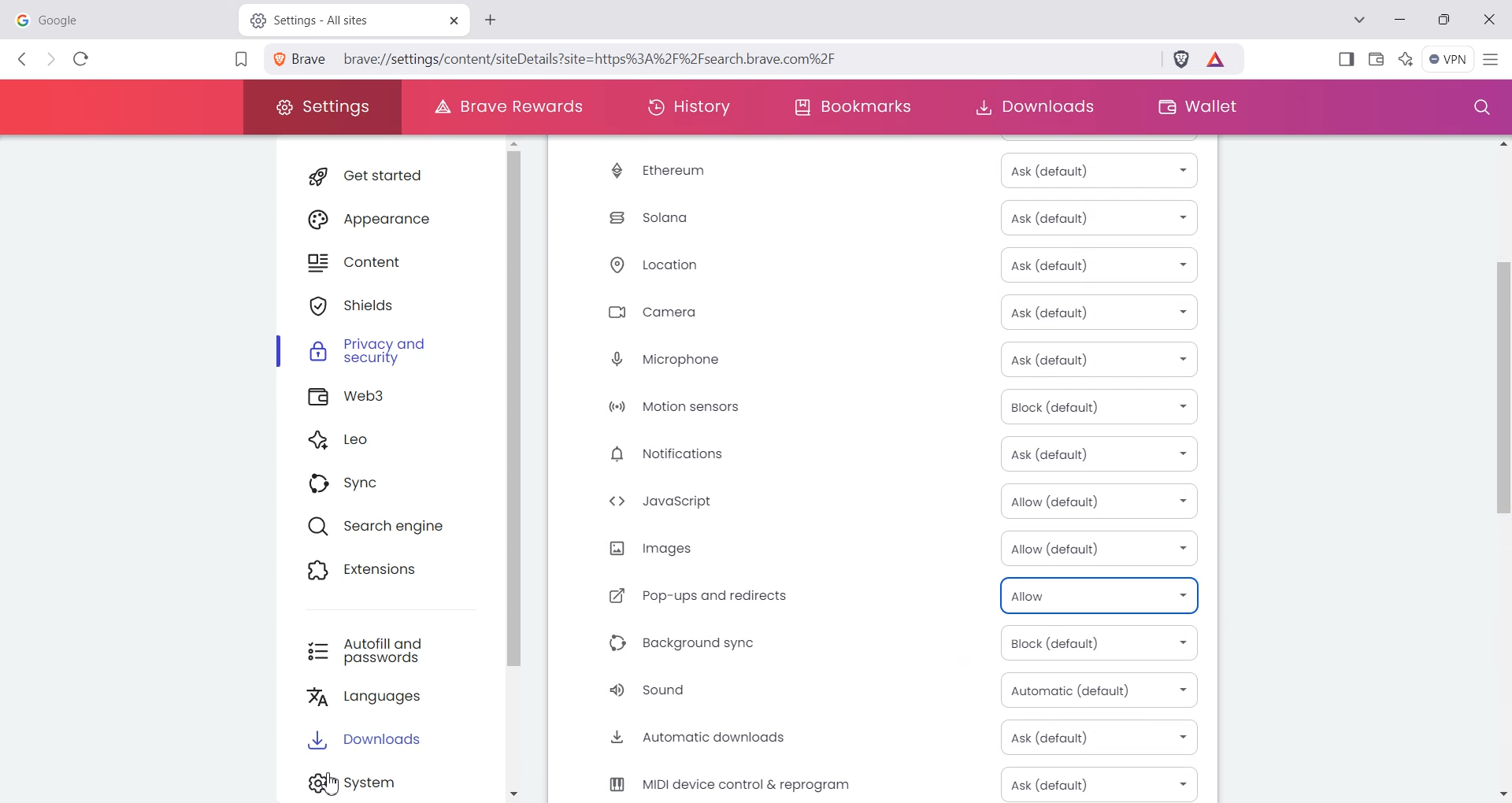  What do you see at coordinates (388, 528) in the screenshot?
I see `Search engine` at bounding box center [388, 528].